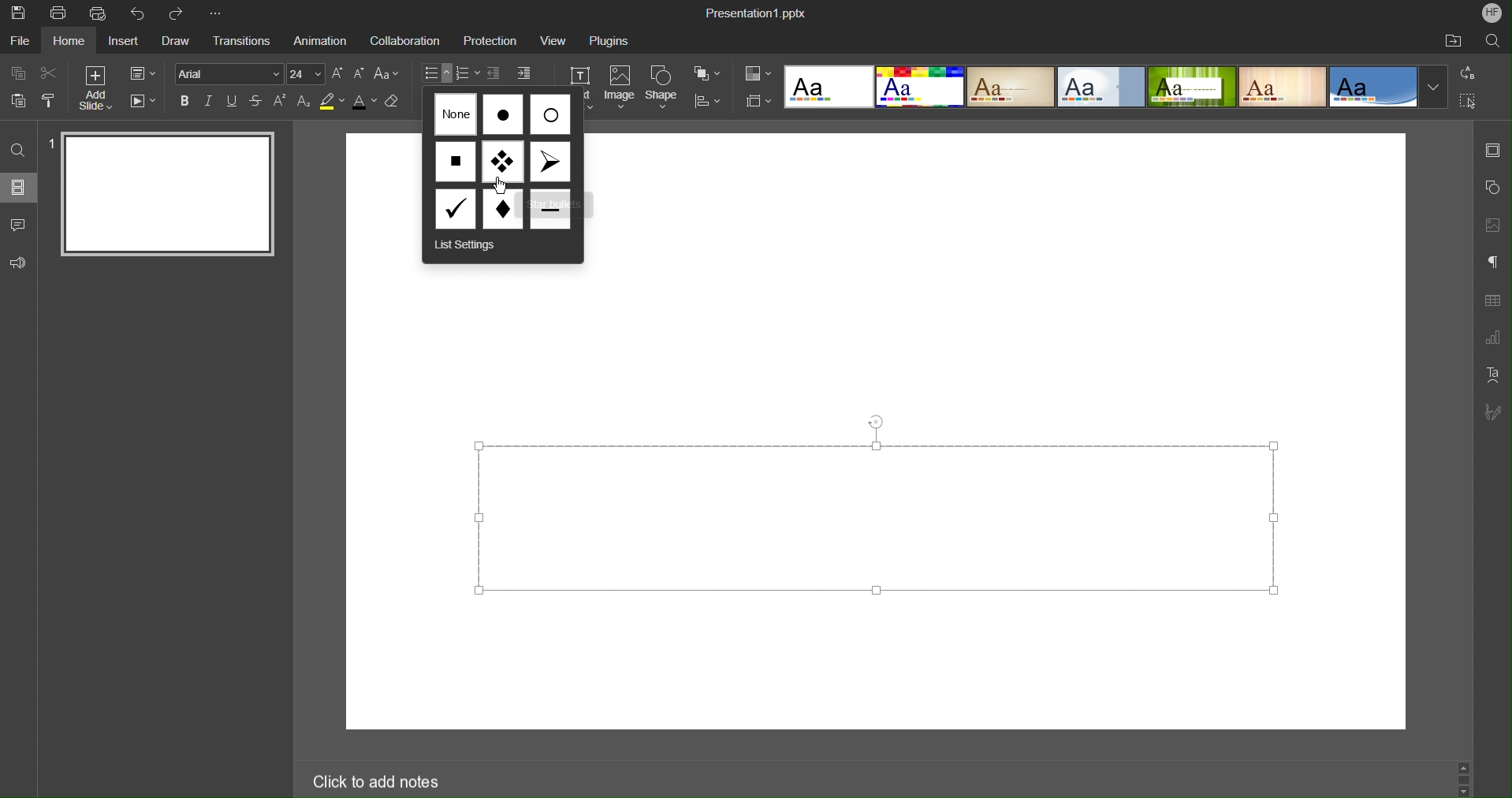  Describe the element at coordinates (19, 225) in the screenshot. I see `Comment` at that location.